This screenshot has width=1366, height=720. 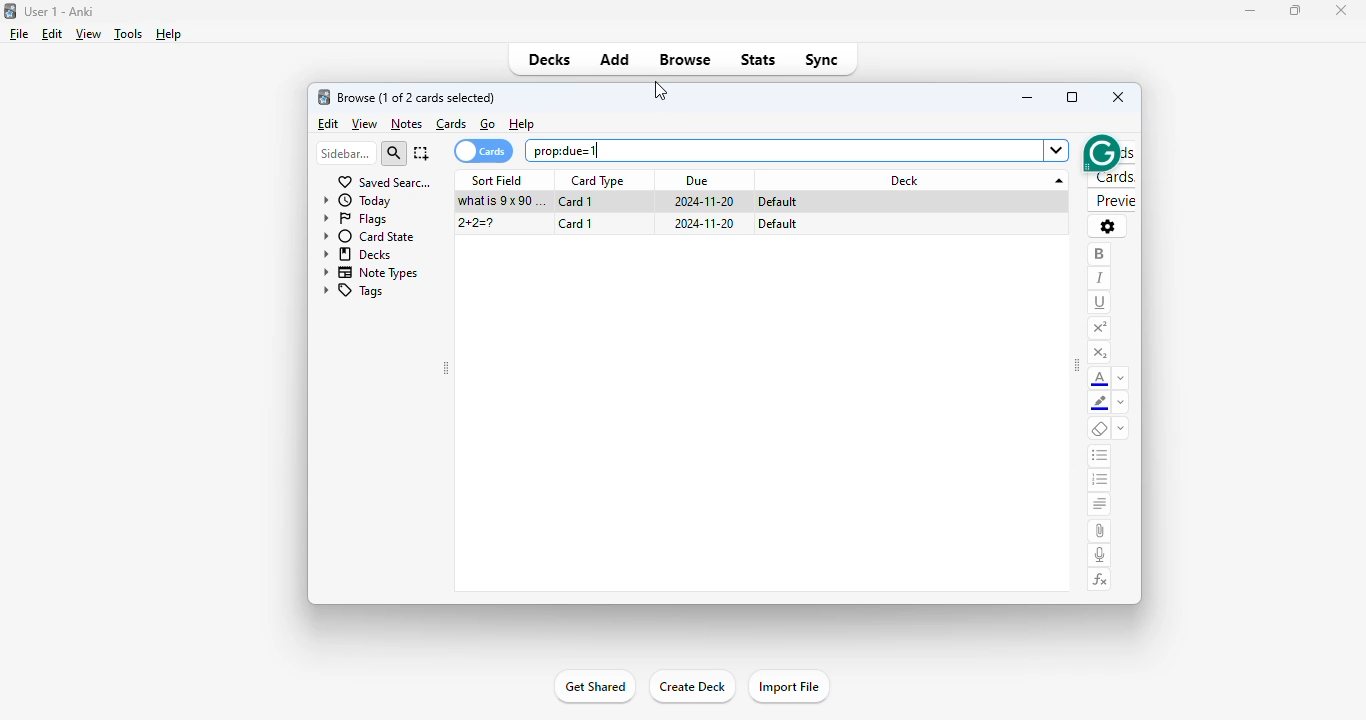 What do you see at coordinates (329, 123) in the screenshot?
I see `edit` at bounding box center [329, 123].